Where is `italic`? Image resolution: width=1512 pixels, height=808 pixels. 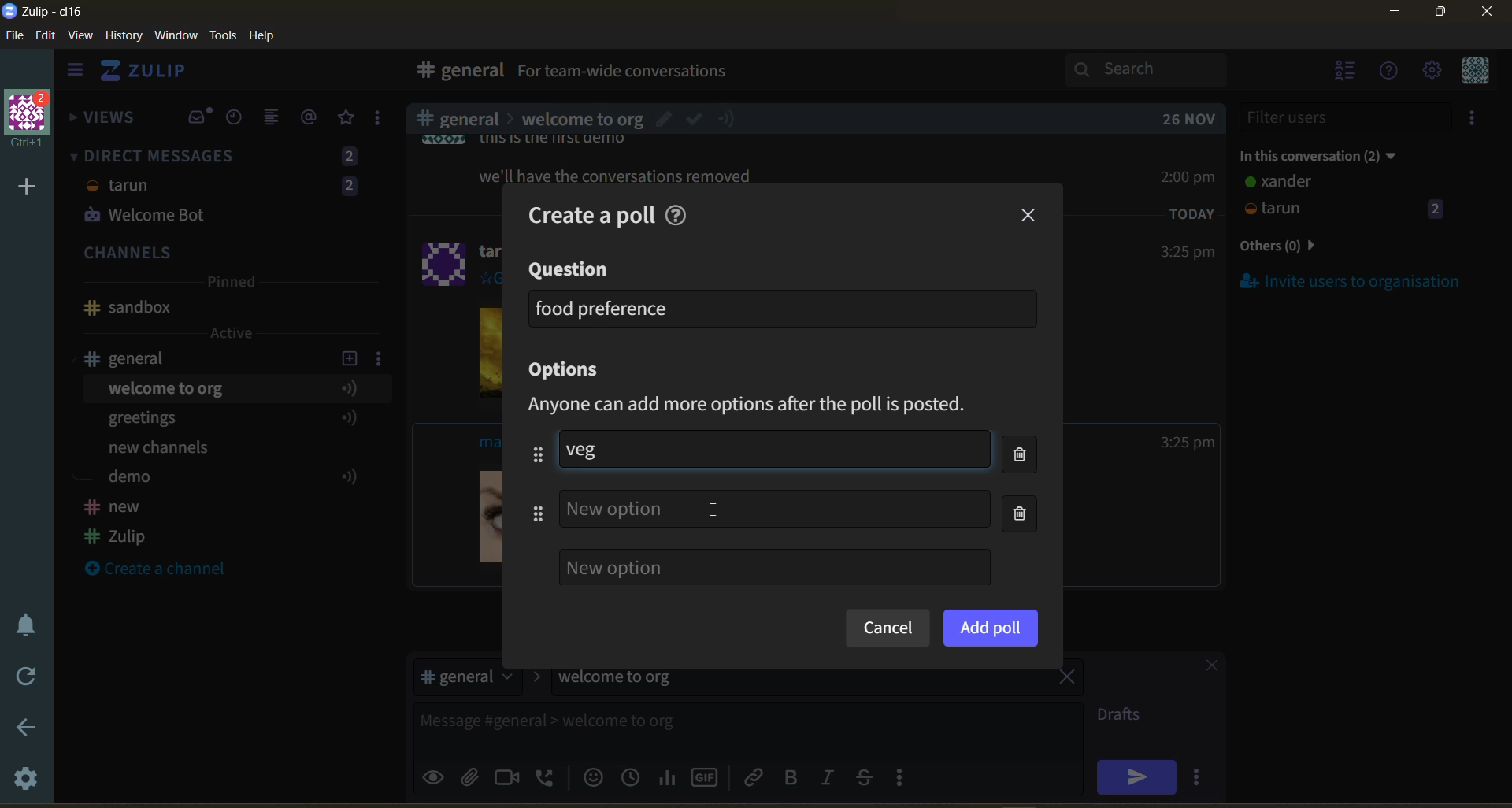 italic is located at coordinates (831, 779).